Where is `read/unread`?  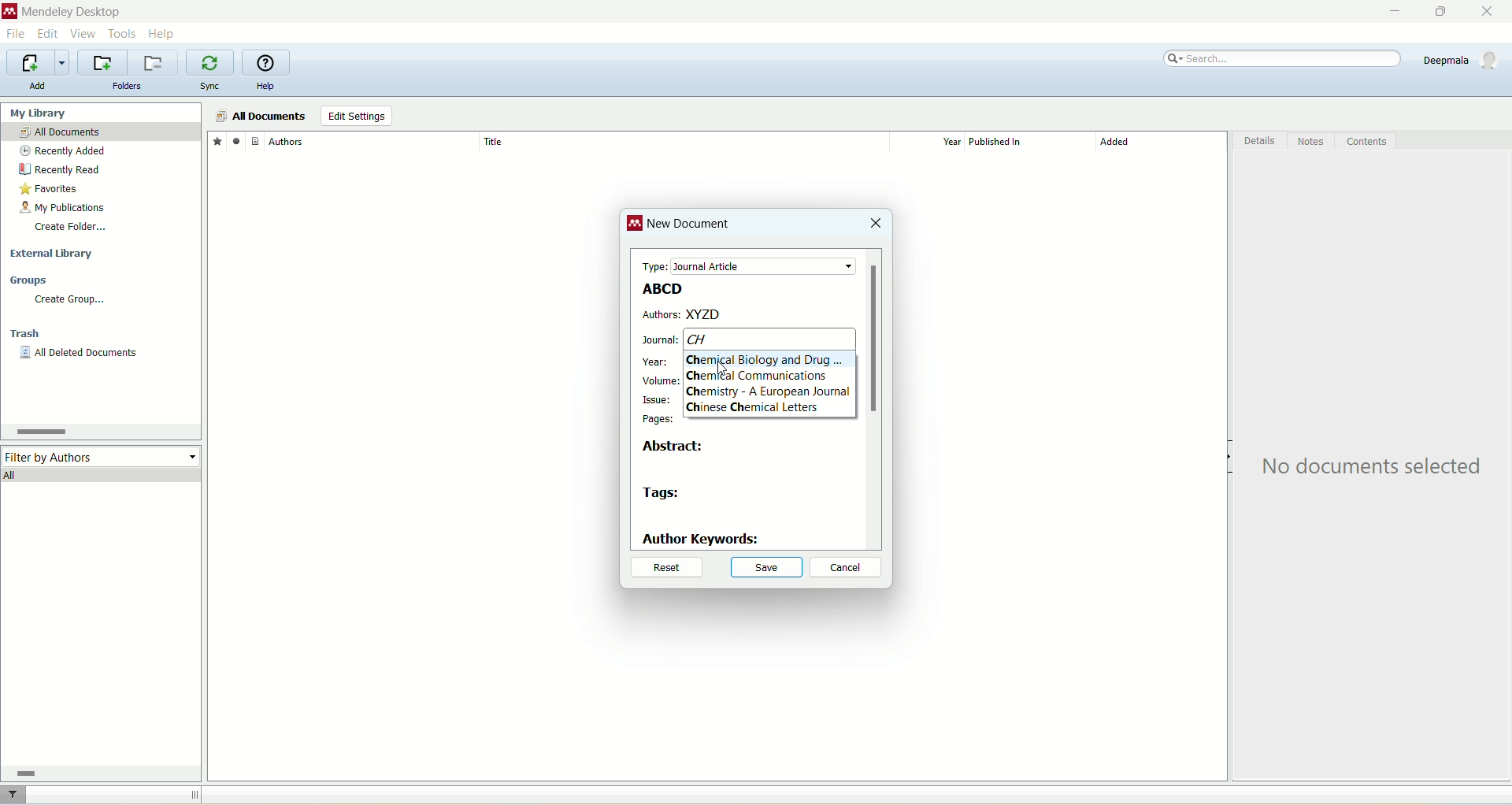 read/unread is located at coordinates (234, 140).